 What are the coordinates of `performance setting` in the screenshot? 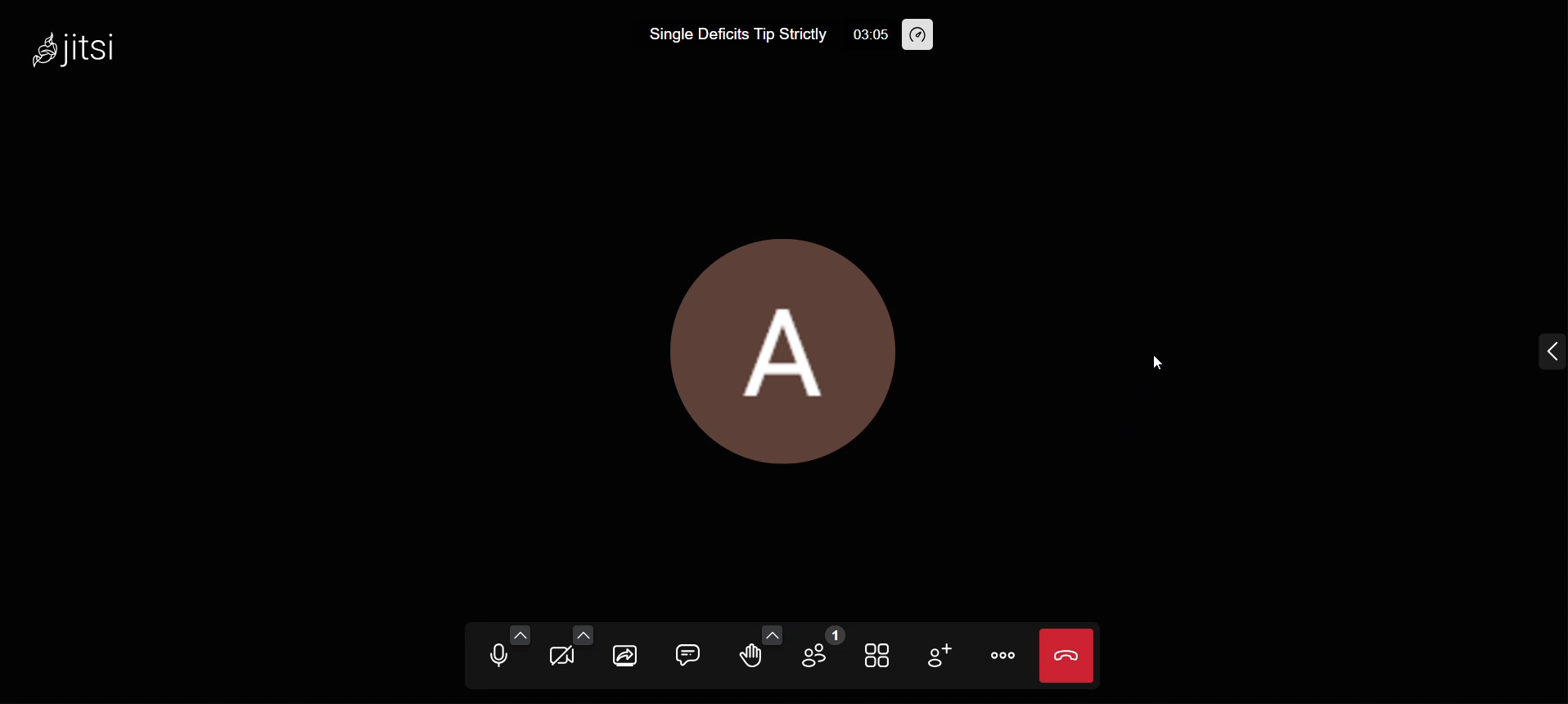 It's located at (923, 35).